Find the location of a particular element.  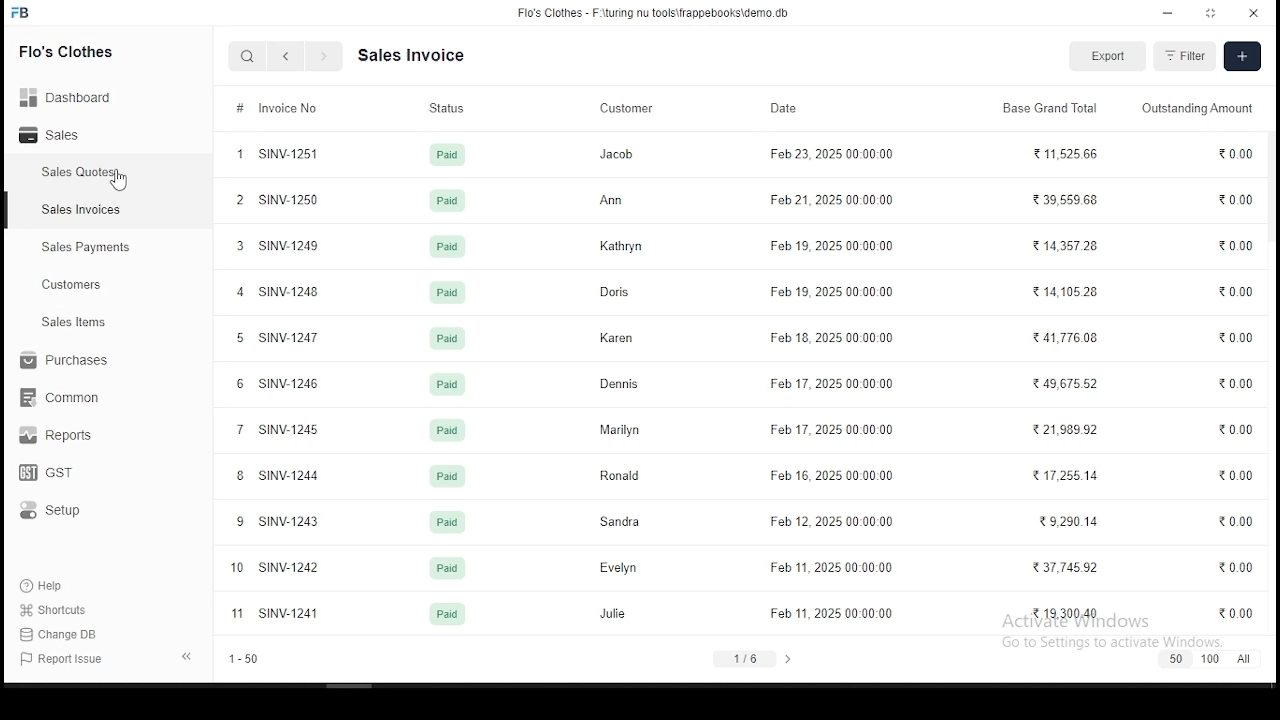

maximize is located at coordinates (1212, 13).